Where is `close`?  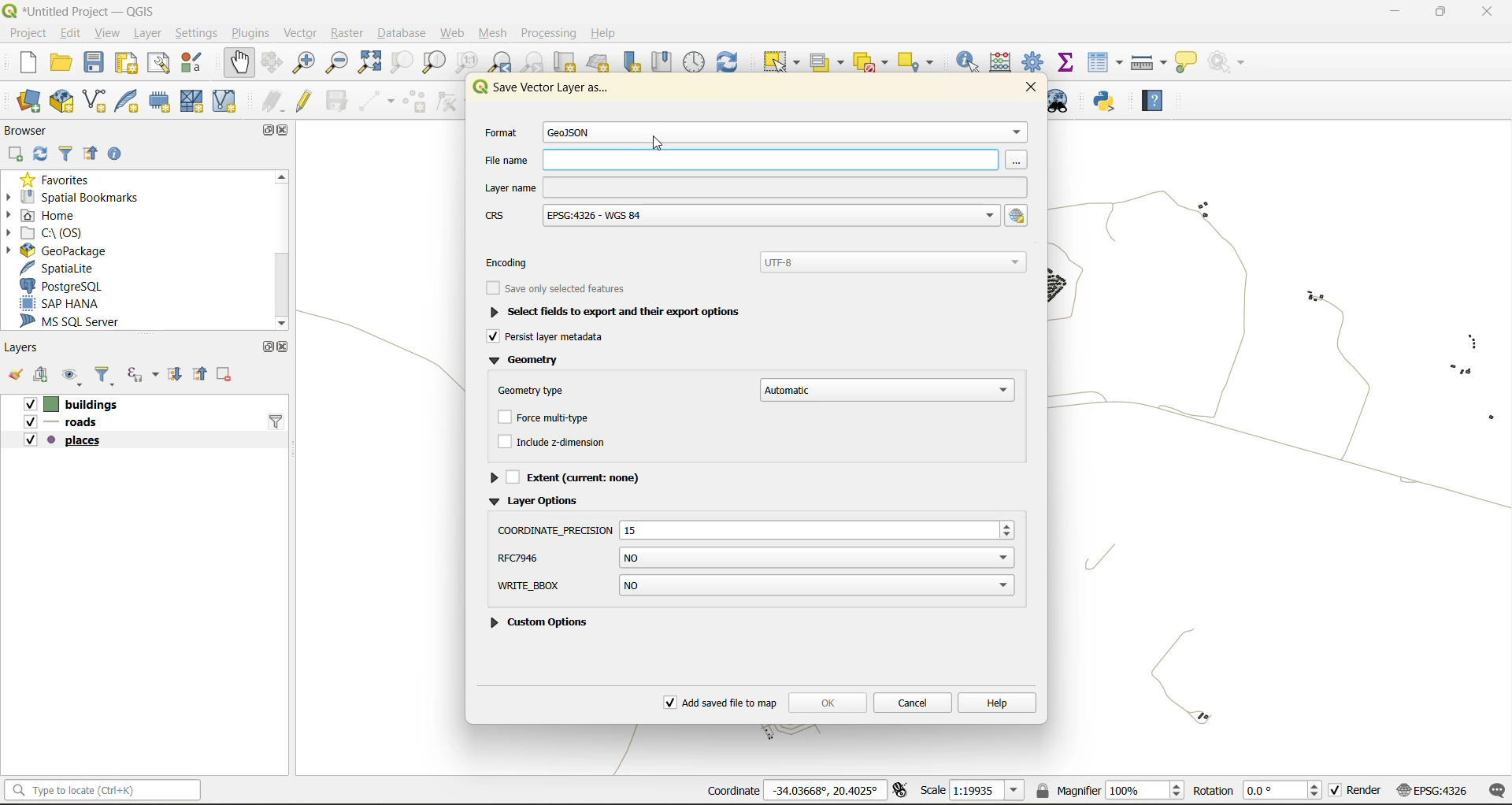 close is located at coordinates (287, 132).